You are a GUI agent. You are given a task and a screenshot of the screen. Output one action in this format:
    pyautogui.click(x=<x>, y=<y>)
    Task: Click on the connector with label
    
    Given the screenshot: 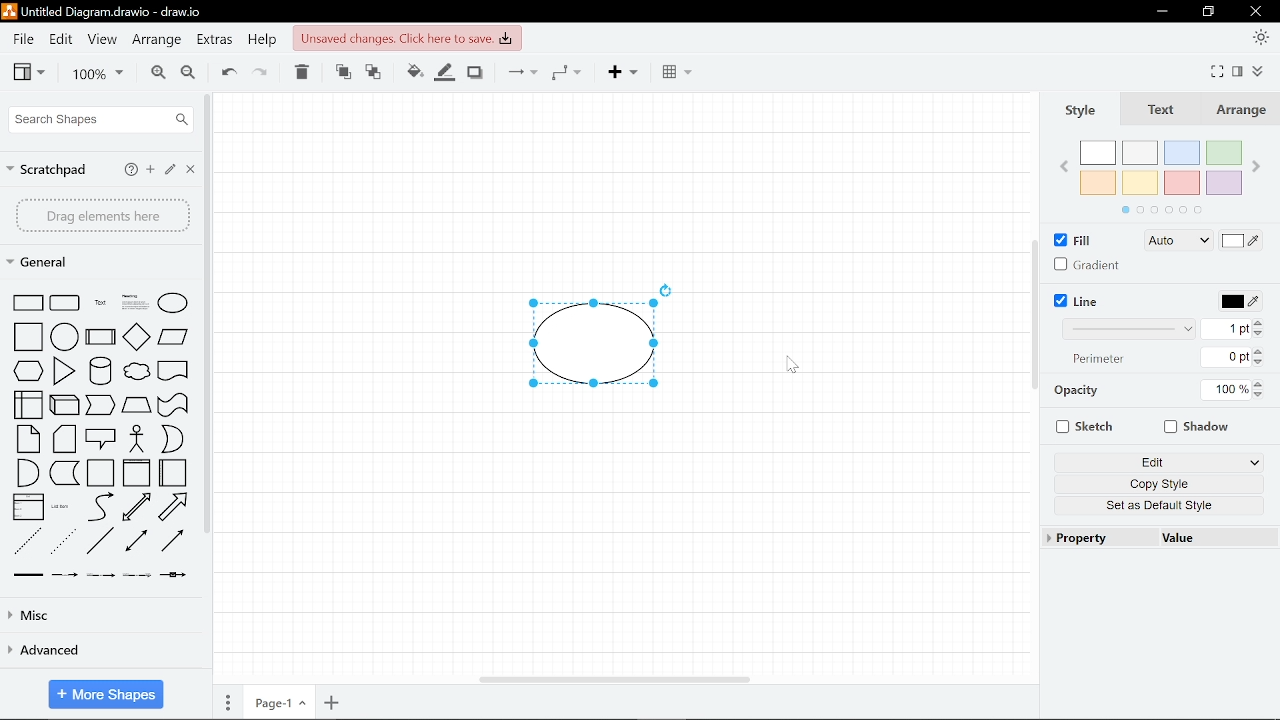 What is the action you would take?
    pyautogui.click(x=65, y=575)
    